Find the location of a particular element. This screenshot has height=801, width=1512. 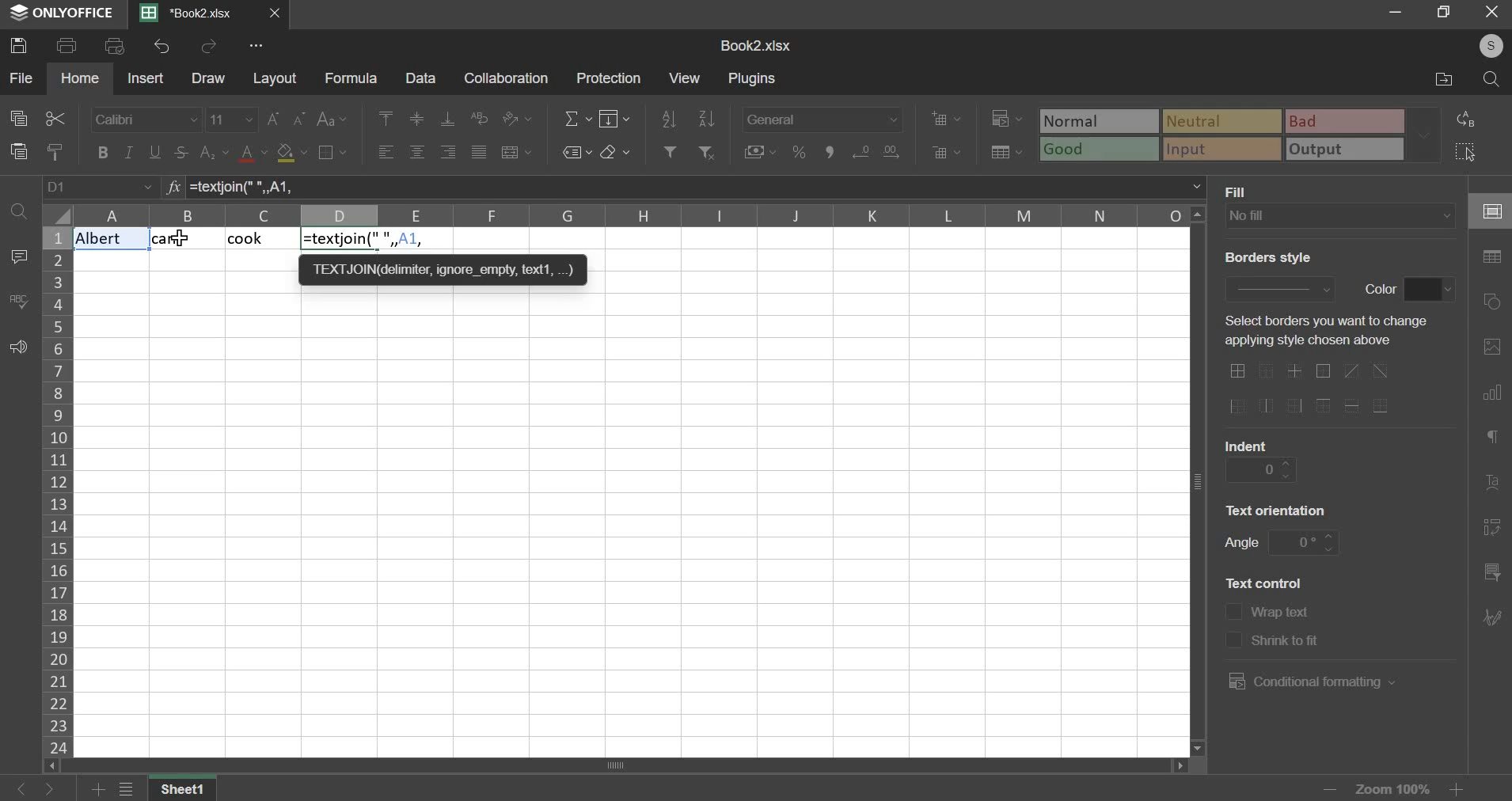

print preview is located at coordinates (116, 46).